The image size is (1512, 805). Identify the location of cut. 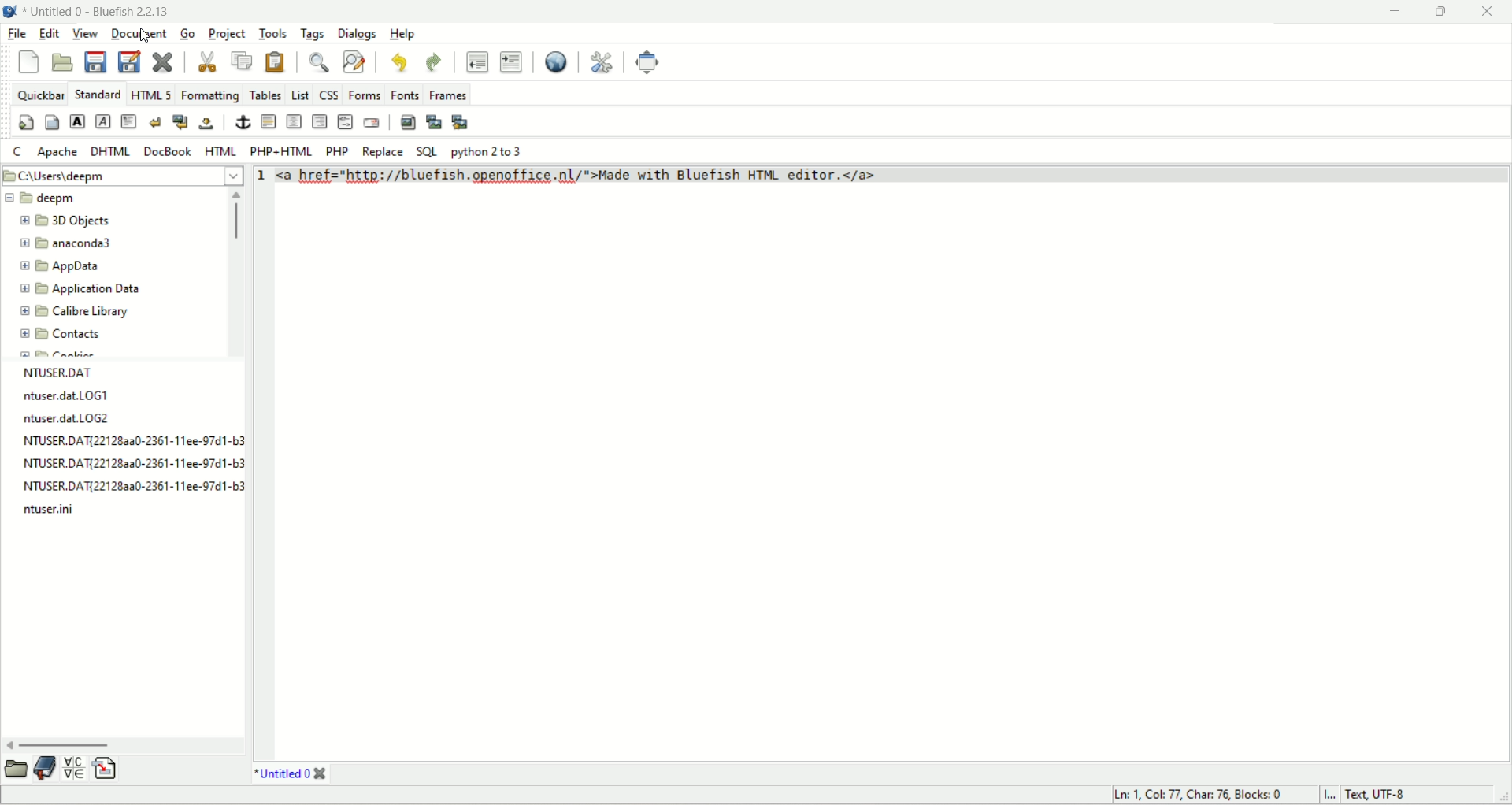
(206, 63).